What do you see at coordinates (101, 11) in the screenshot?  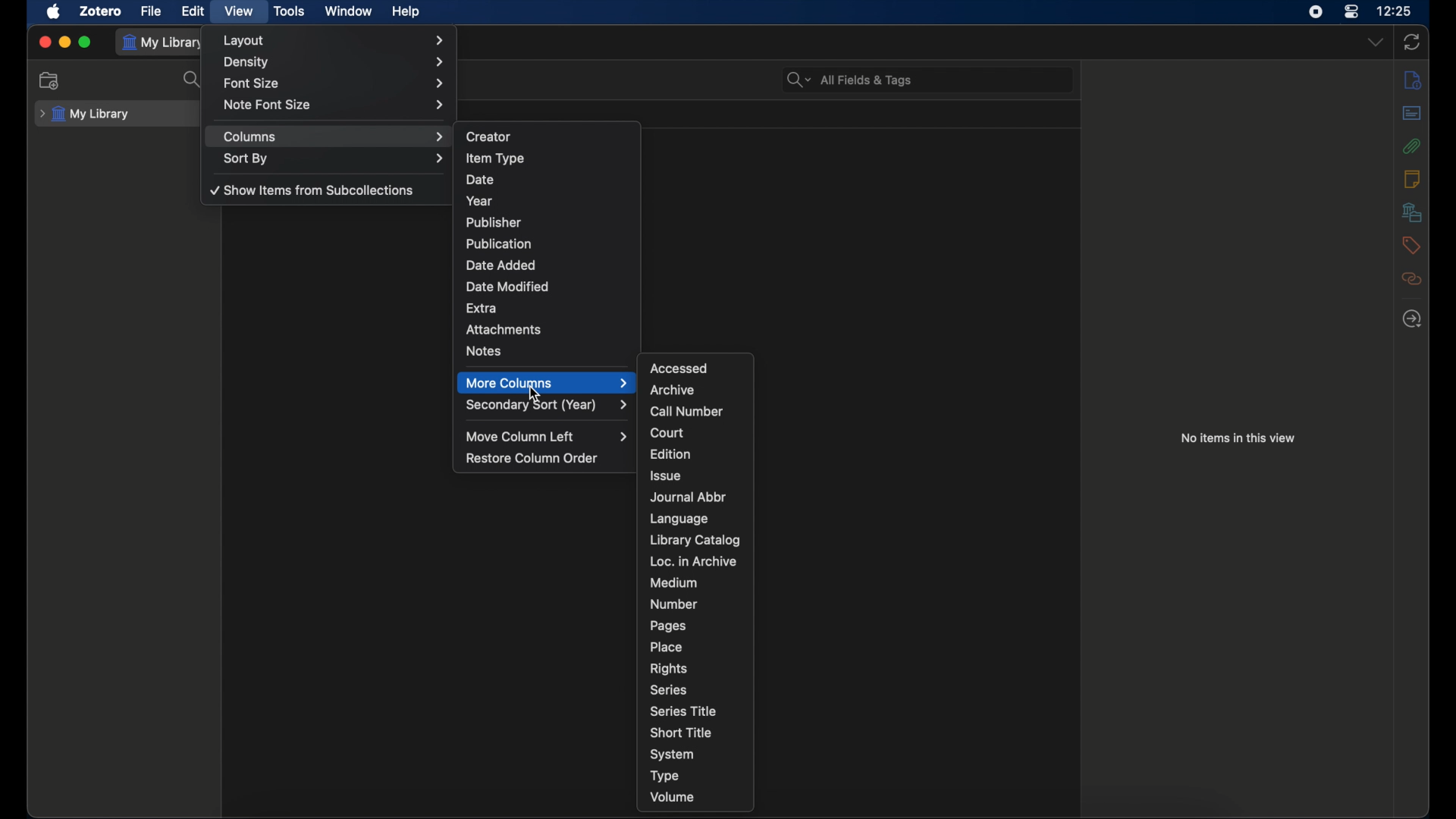 I see `zotero` at bounding box center [101, 11].